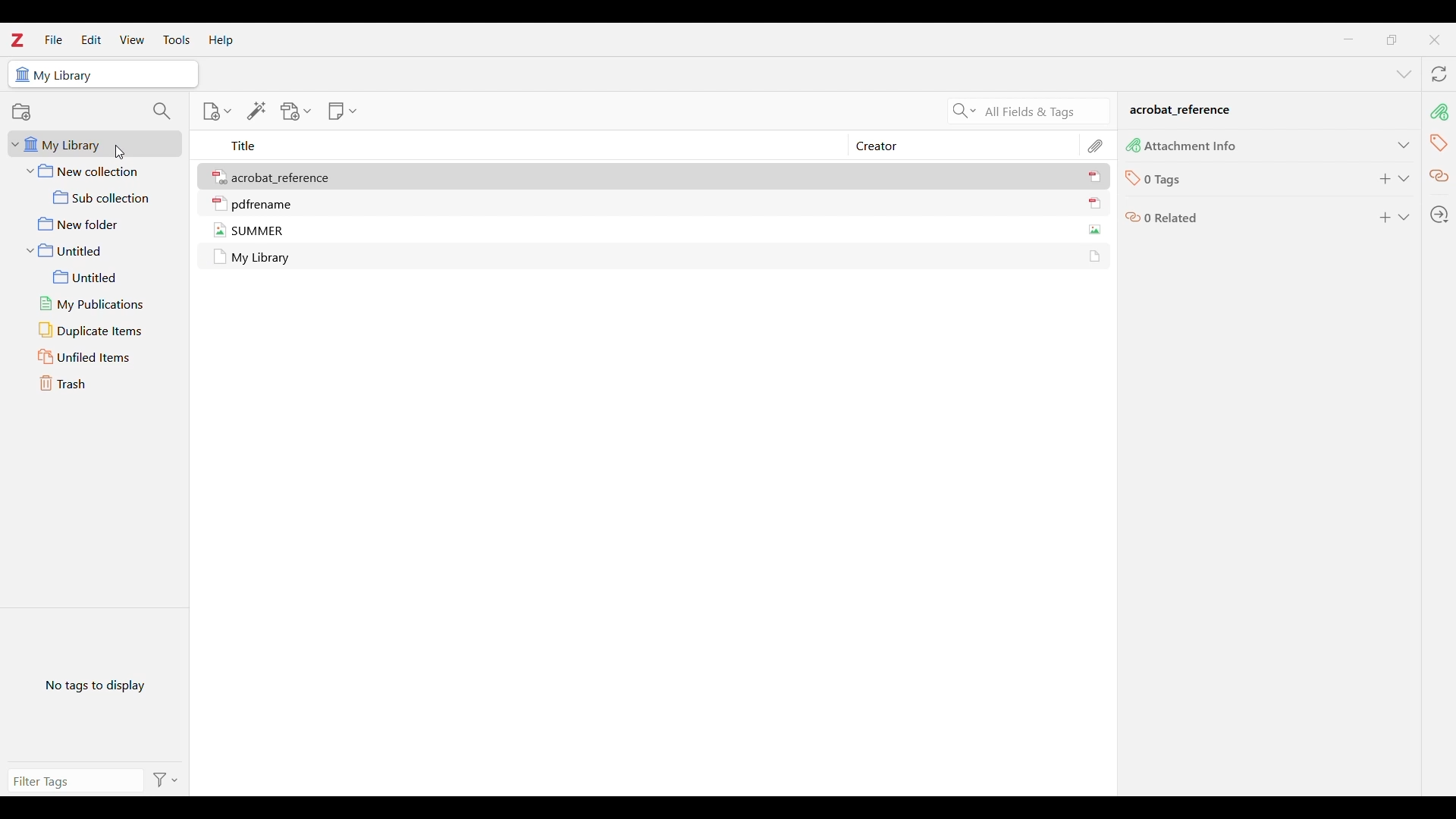  I want to click on List all tabs, so click(1404, 74).